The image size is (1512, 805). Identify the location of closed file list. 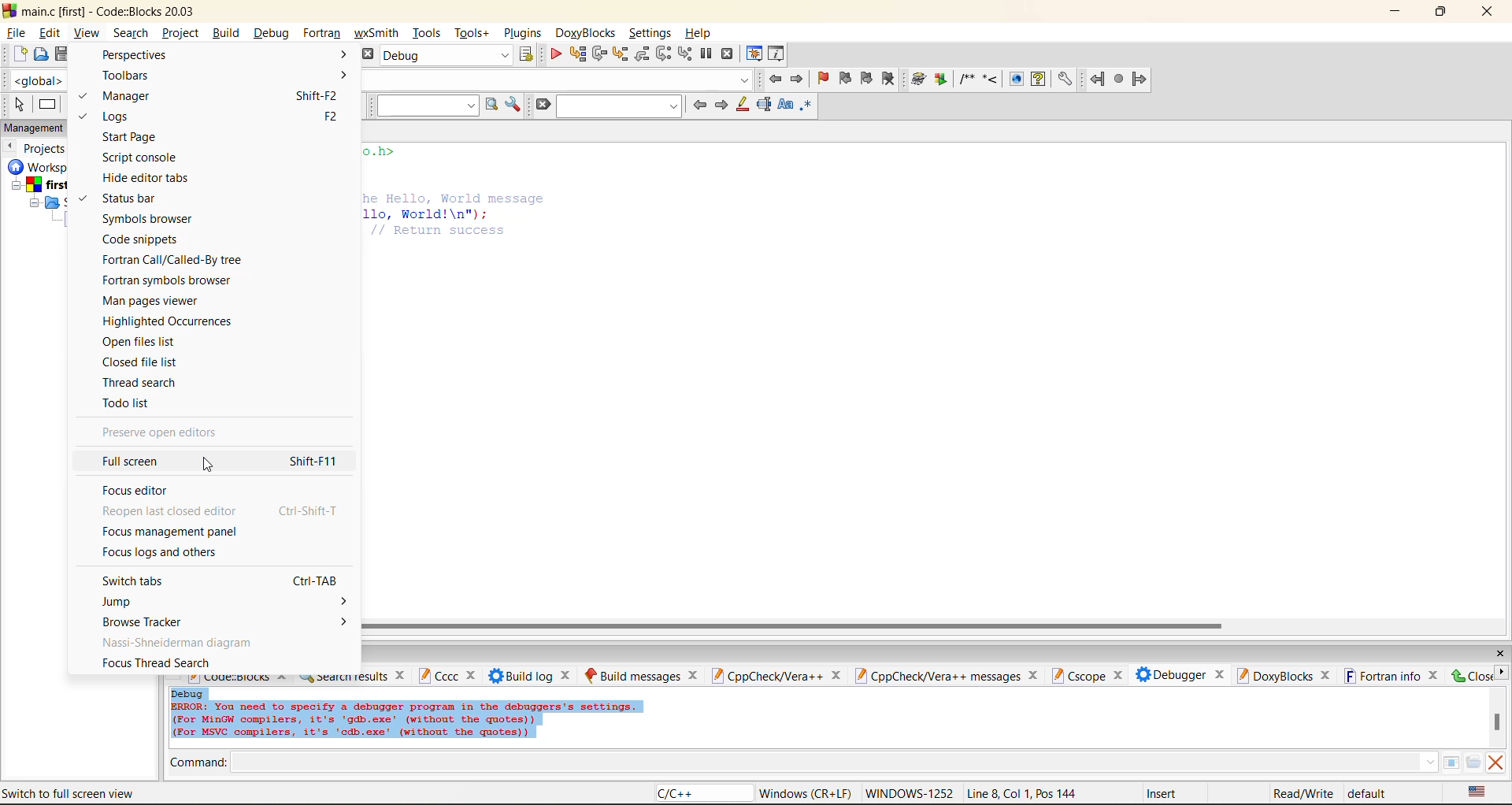
(156, 364).